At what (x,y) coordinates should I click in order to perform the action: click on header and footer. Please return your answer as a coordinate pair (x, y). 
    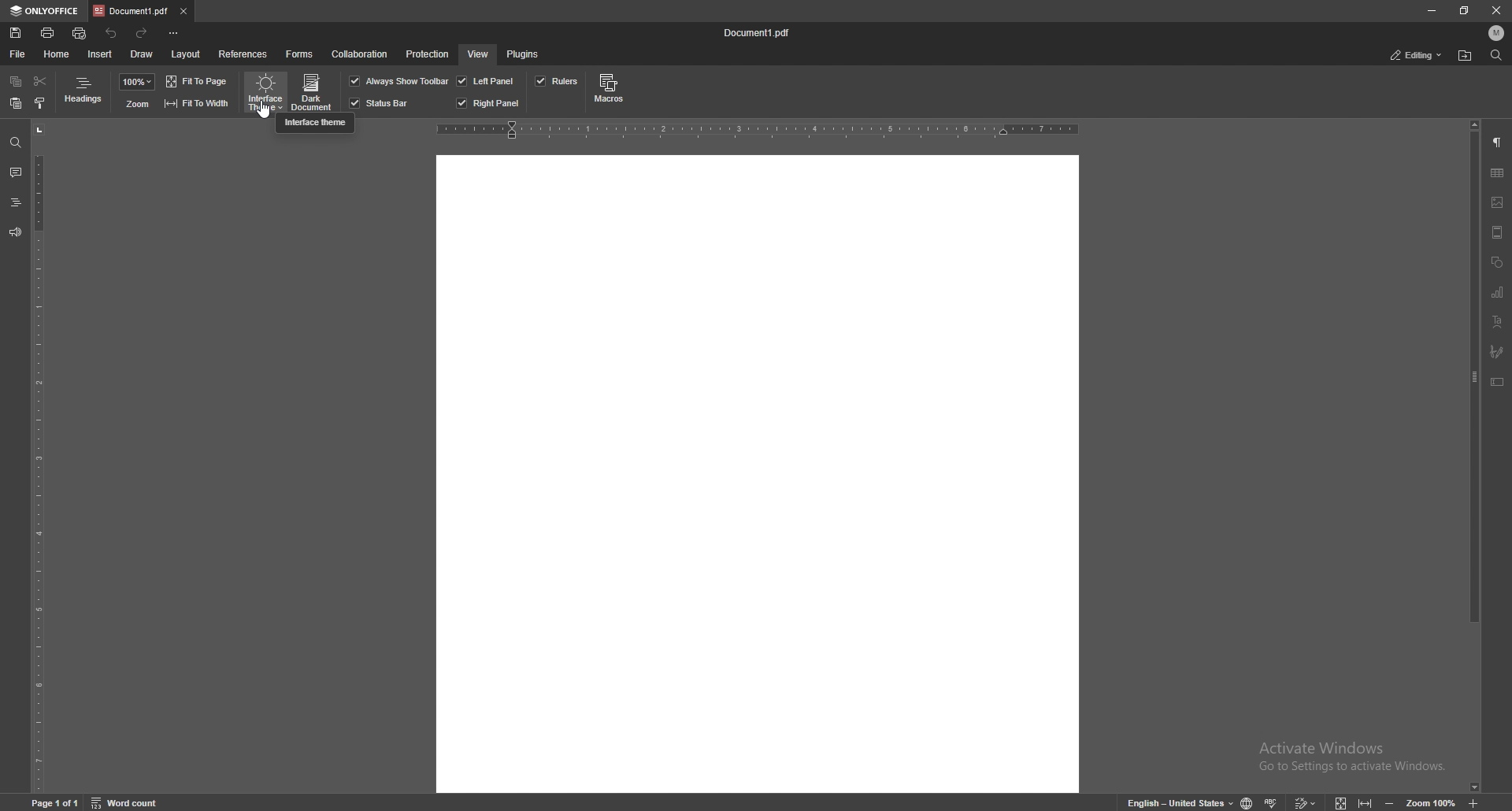
    Looking at the image, I should click on (1496, 232).